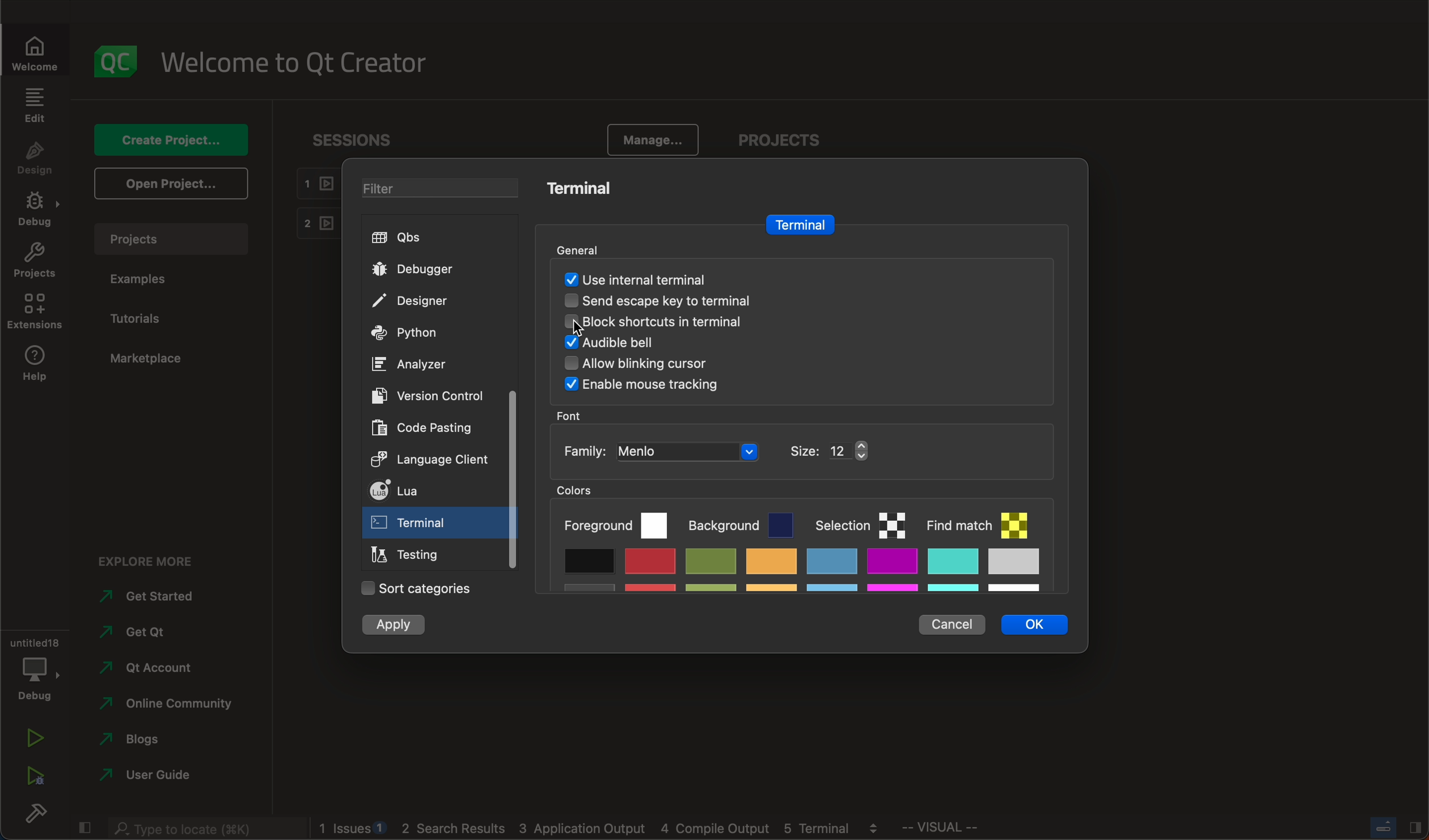  I want to click on qbs, so click(405, 237).